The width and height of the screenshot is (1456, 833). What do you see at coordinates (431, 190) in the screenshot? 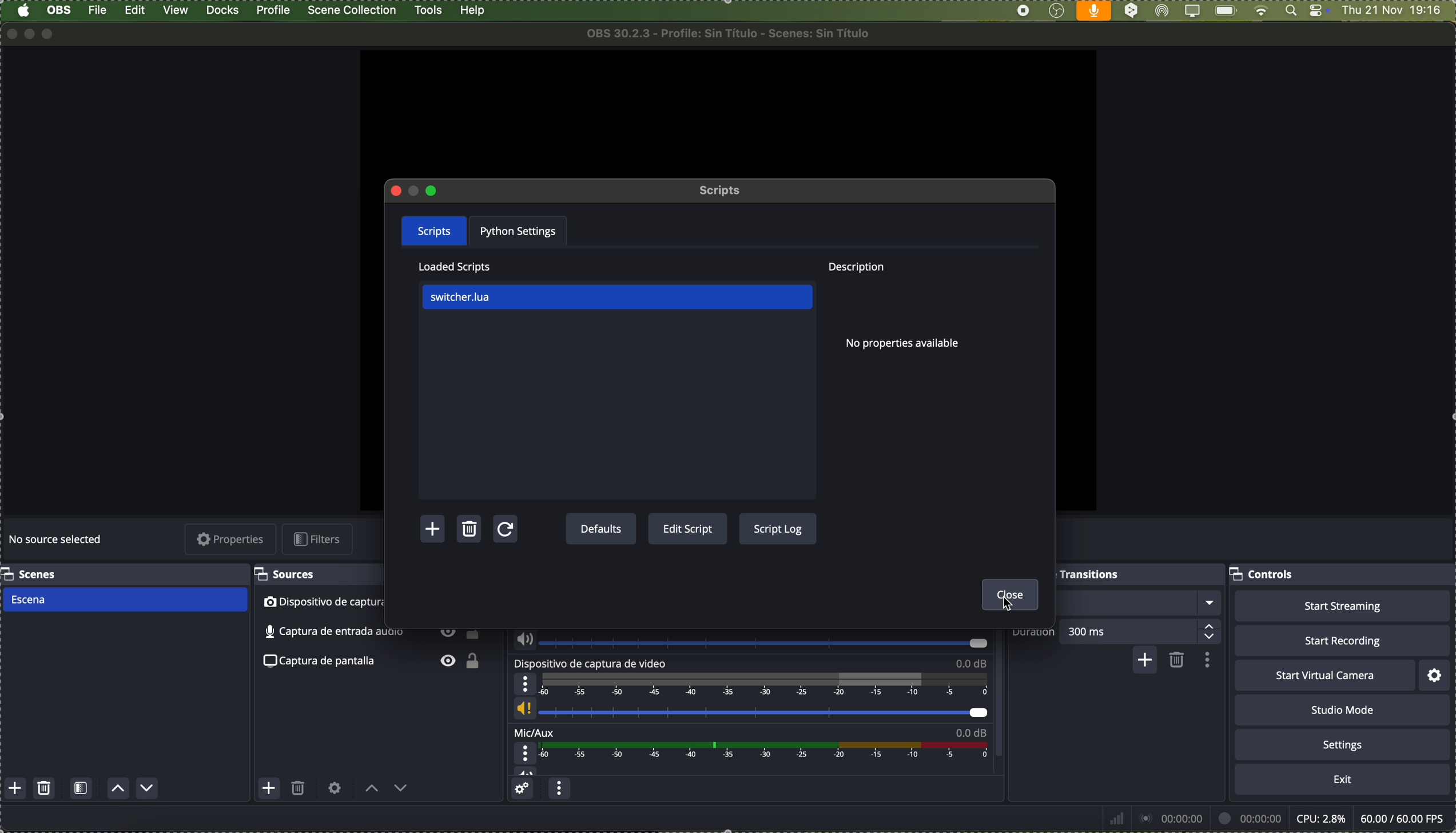
I see `maximize pop-up` at bounding box center [431, 190].